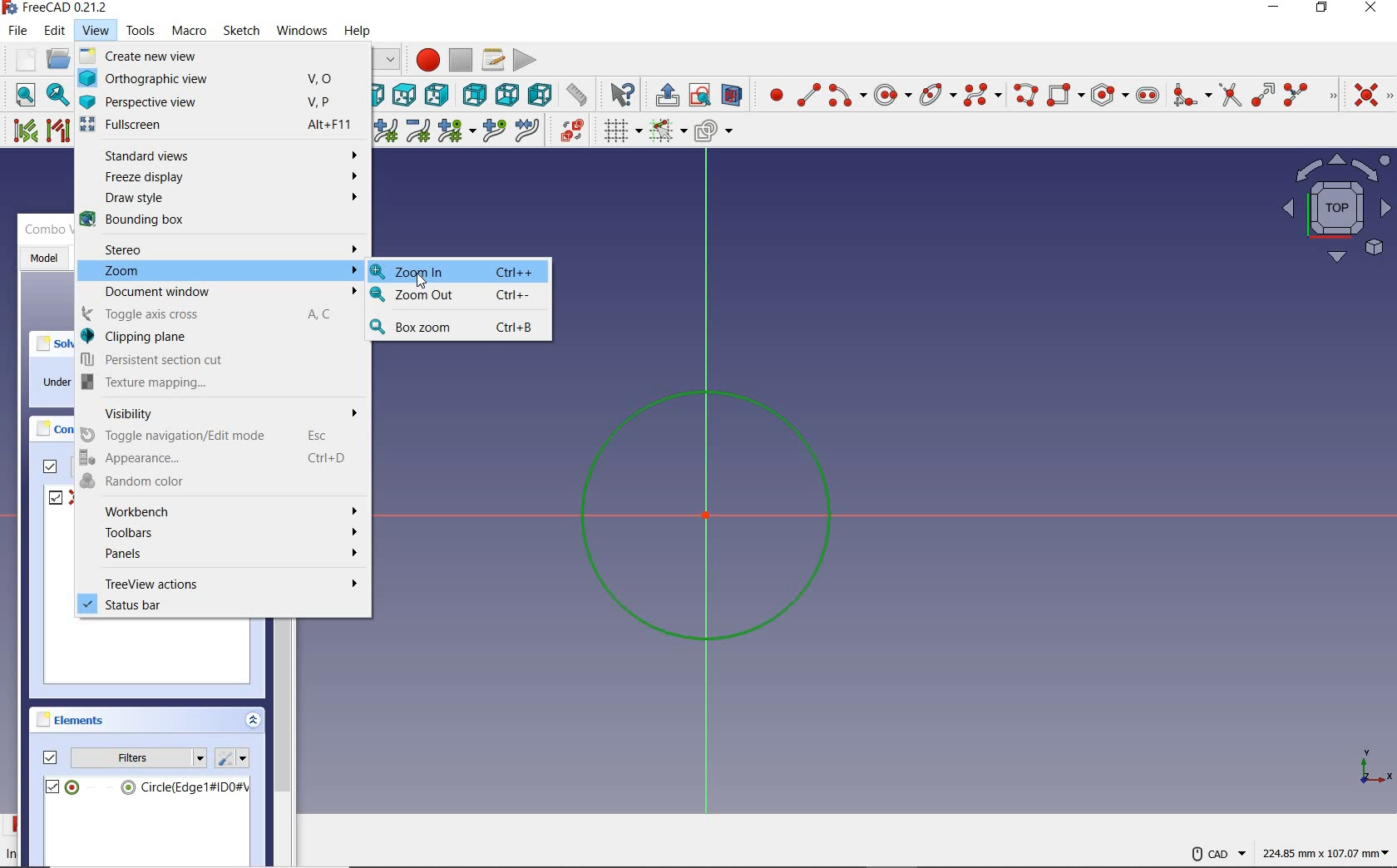 The height and width of the screenshot is (868, 1397). What do you see at coordinates (506, 94) in the screenshot?
I see `bottom` at bounding box center [506, 94].